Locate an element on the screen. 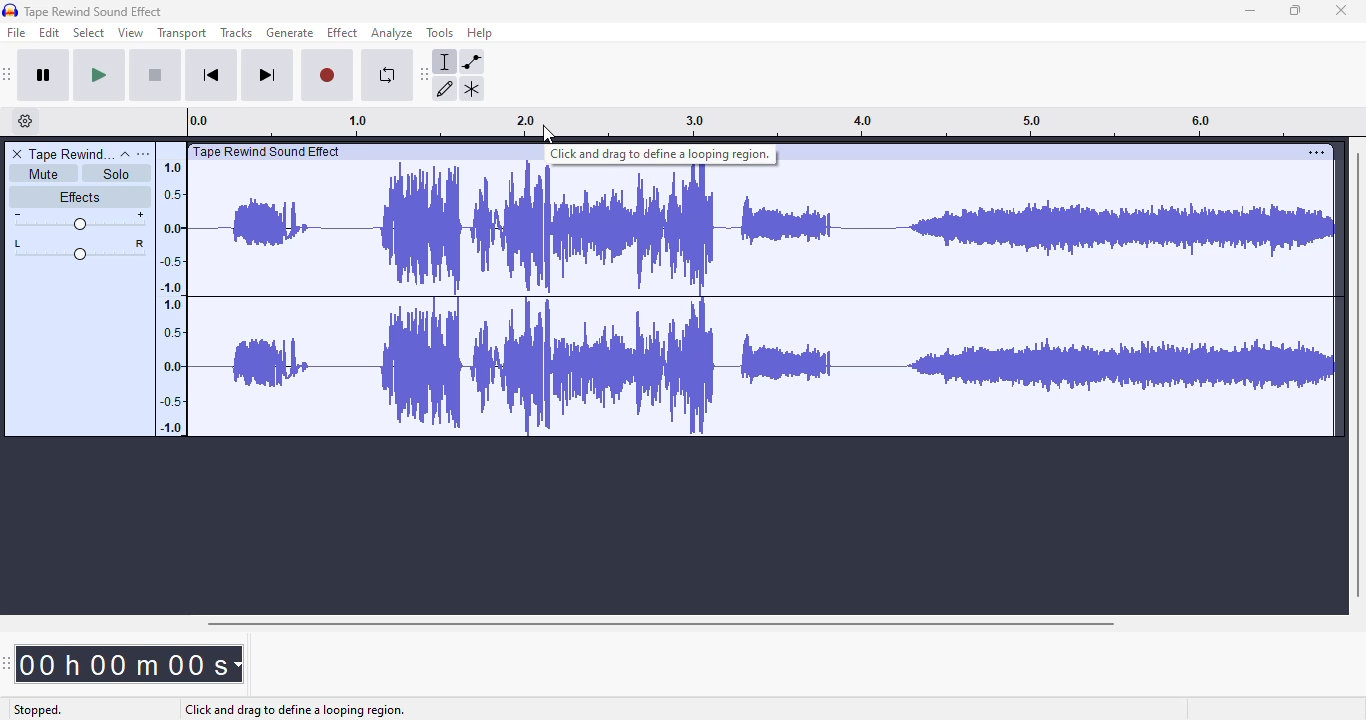 The height and width of the screenshot is (720, 1366). pan is located at coordinates (78, 251).